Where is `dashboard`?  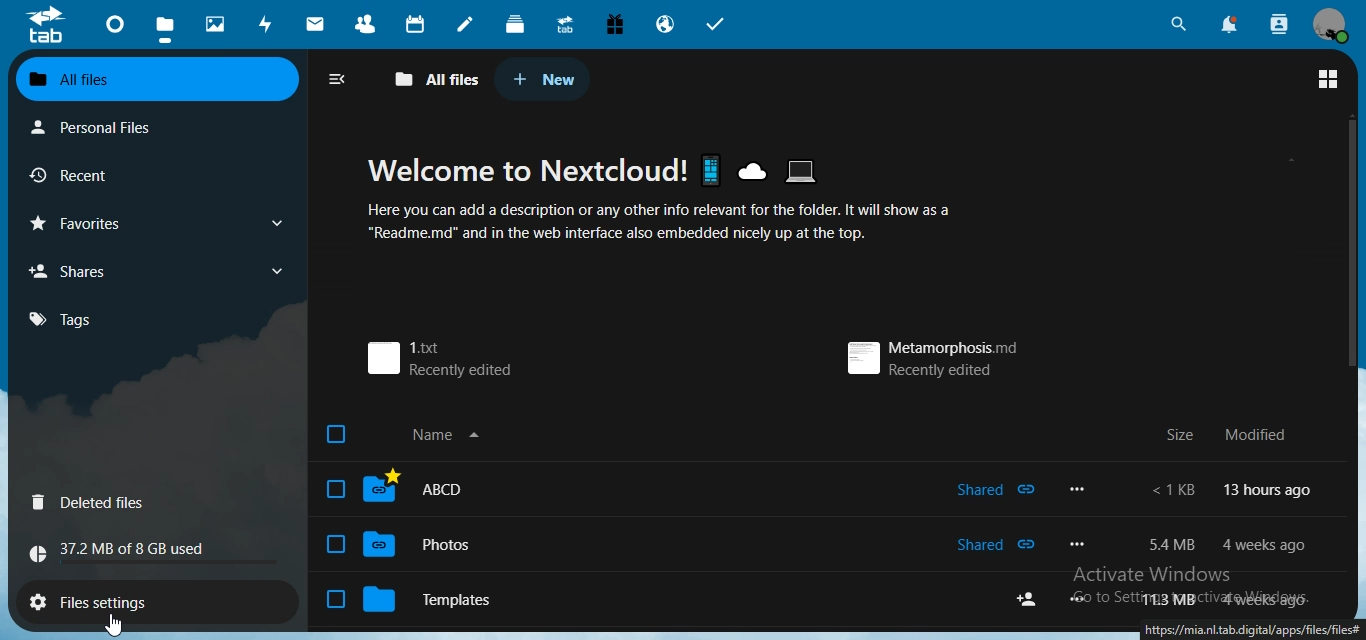 dashboard is located at coordinates (114, 29).